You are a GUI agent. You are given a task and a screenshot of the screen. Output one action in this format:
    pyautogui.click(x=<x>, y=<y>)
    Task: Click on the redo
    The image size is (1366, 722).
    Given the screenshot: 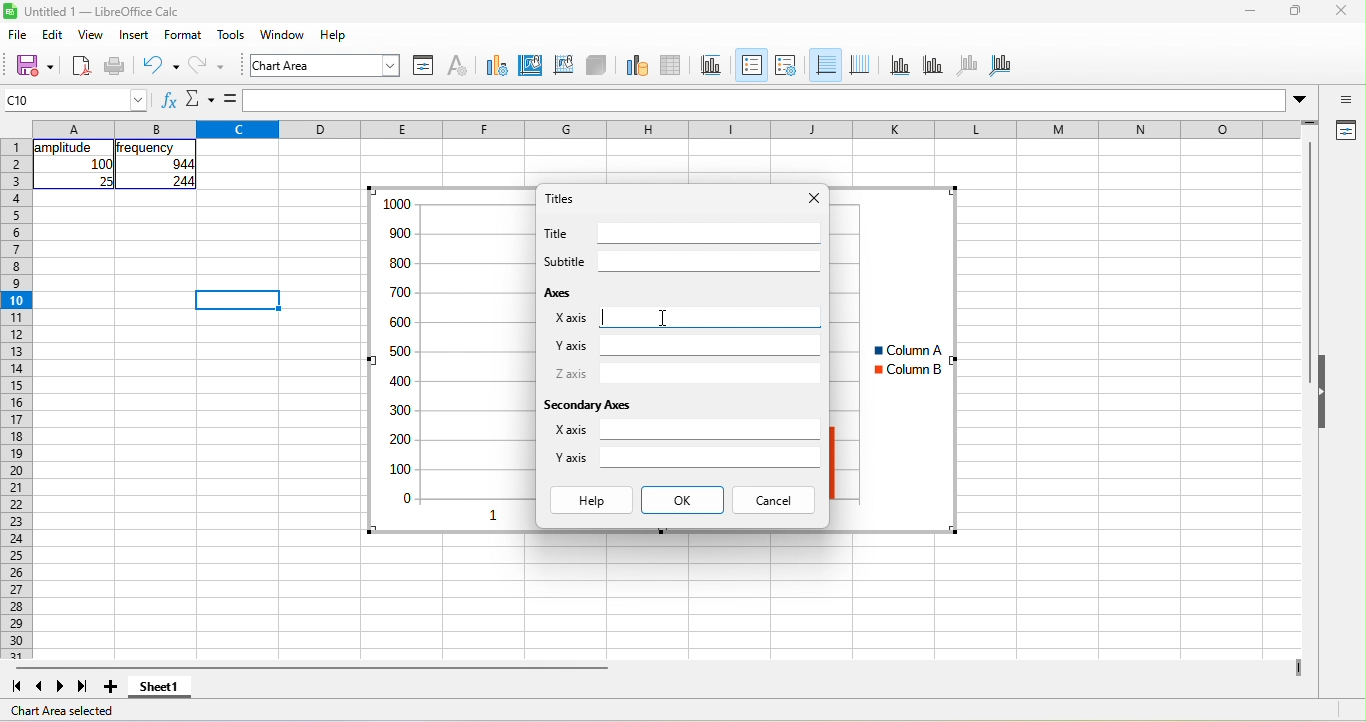 What is the action you would take?
    pyautogui.click(x=207, y=67)
    